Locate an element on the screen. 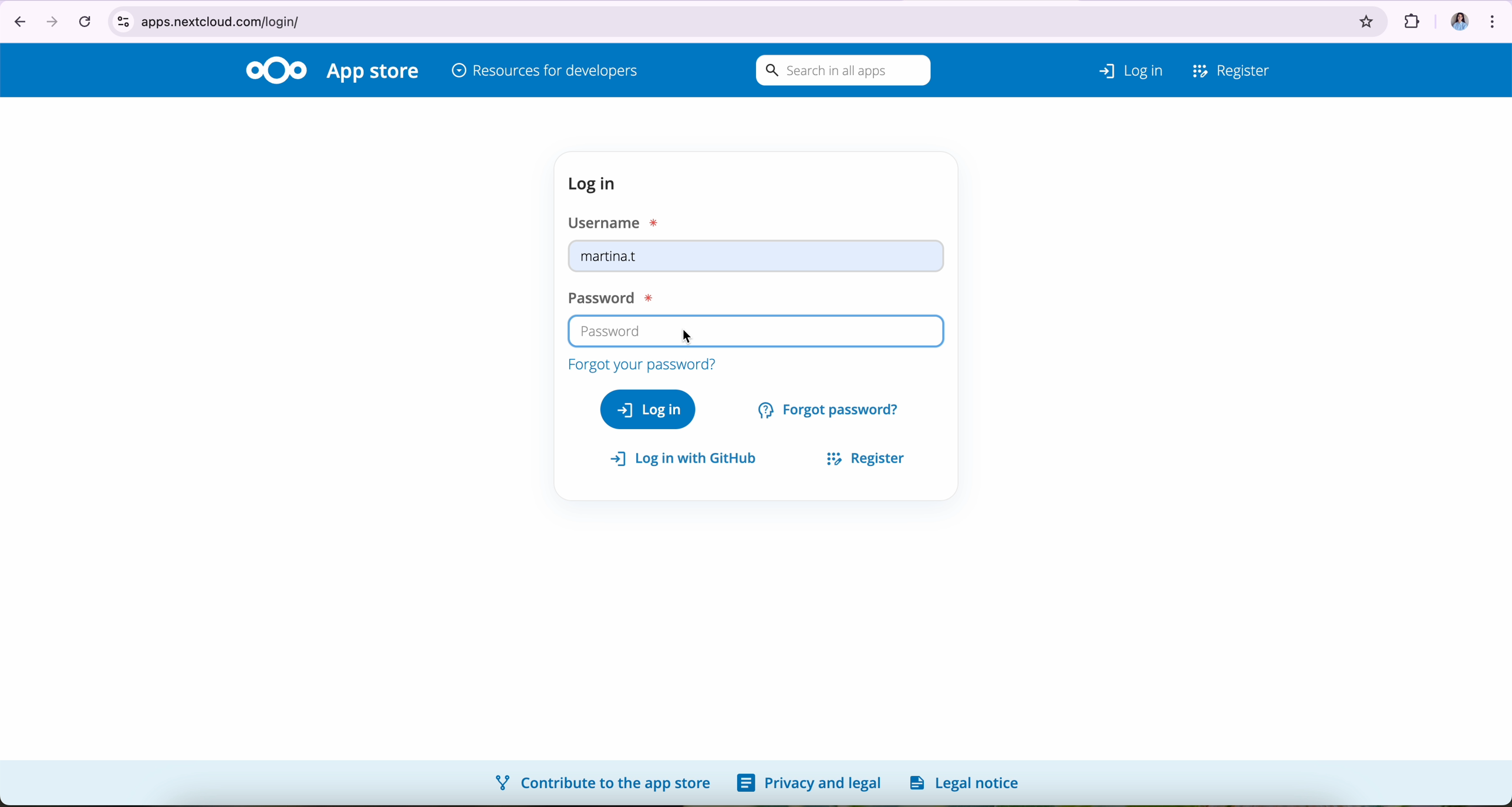  privacy and legal is located at coordinates (809, 784).